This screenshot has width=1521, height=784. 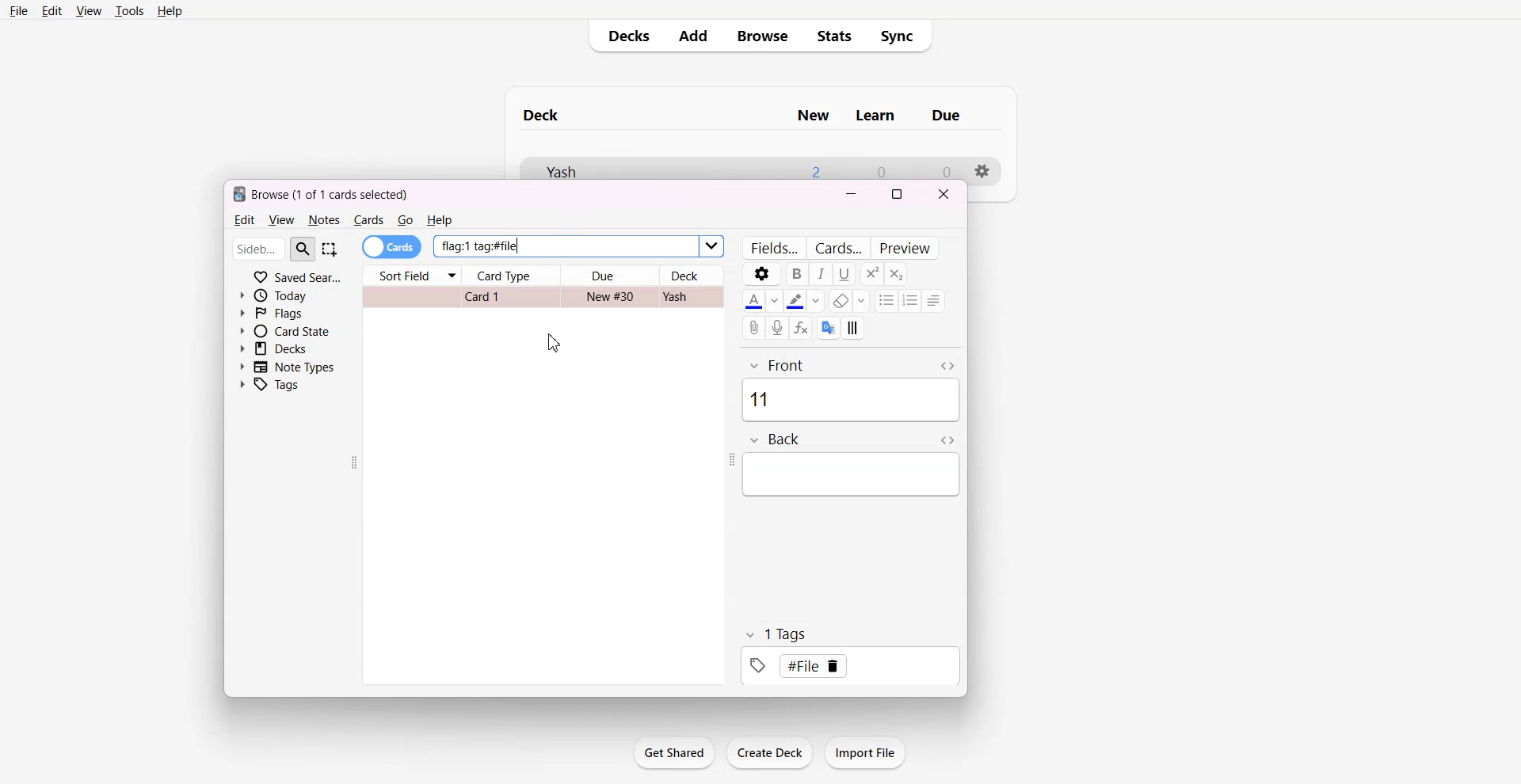 What do you see at coordinates (610, 276) in the screenshot?
I see `Due` at bounding box center [610, 276].